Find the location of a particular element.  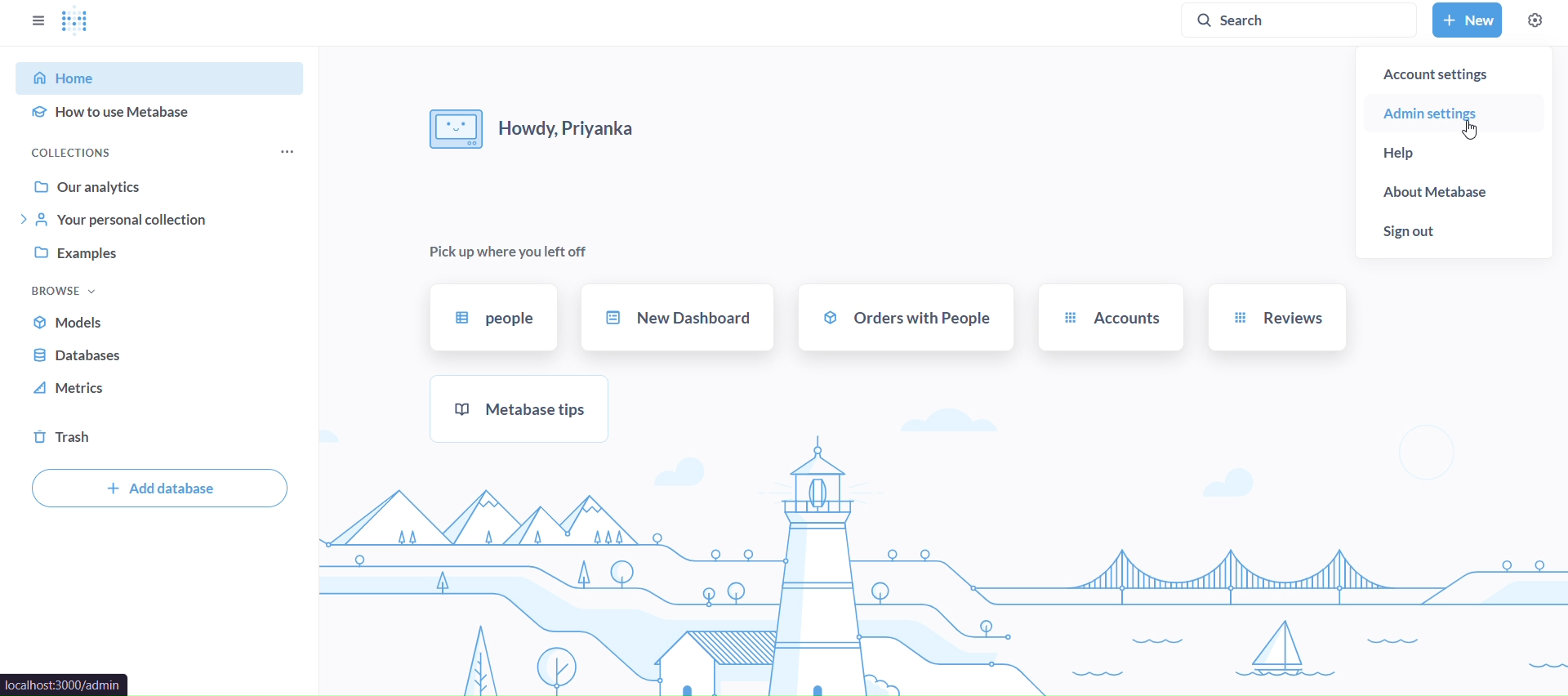

people is located at coordinates (496, 315).